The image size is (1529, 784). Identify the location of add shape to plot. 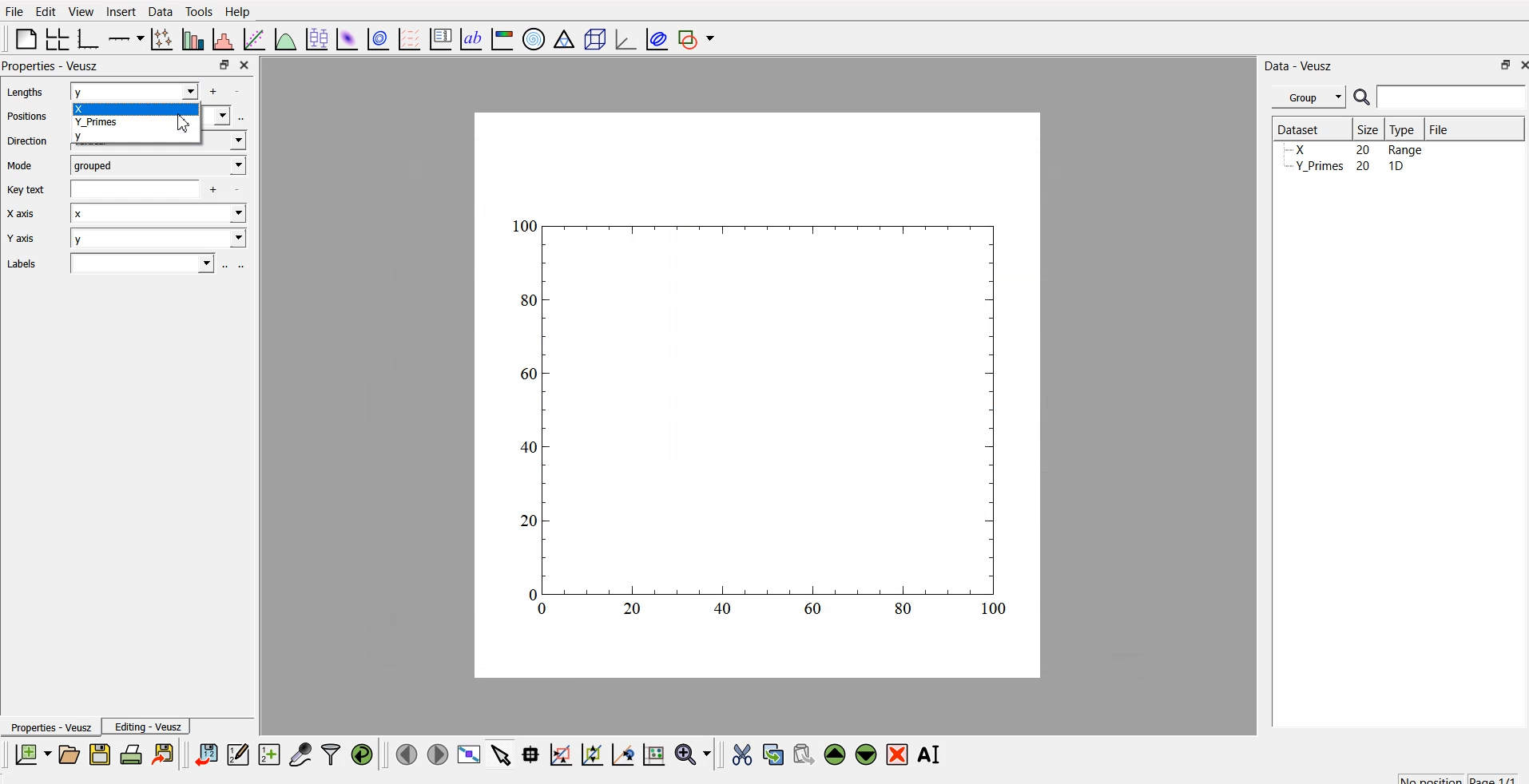
(701, 37).